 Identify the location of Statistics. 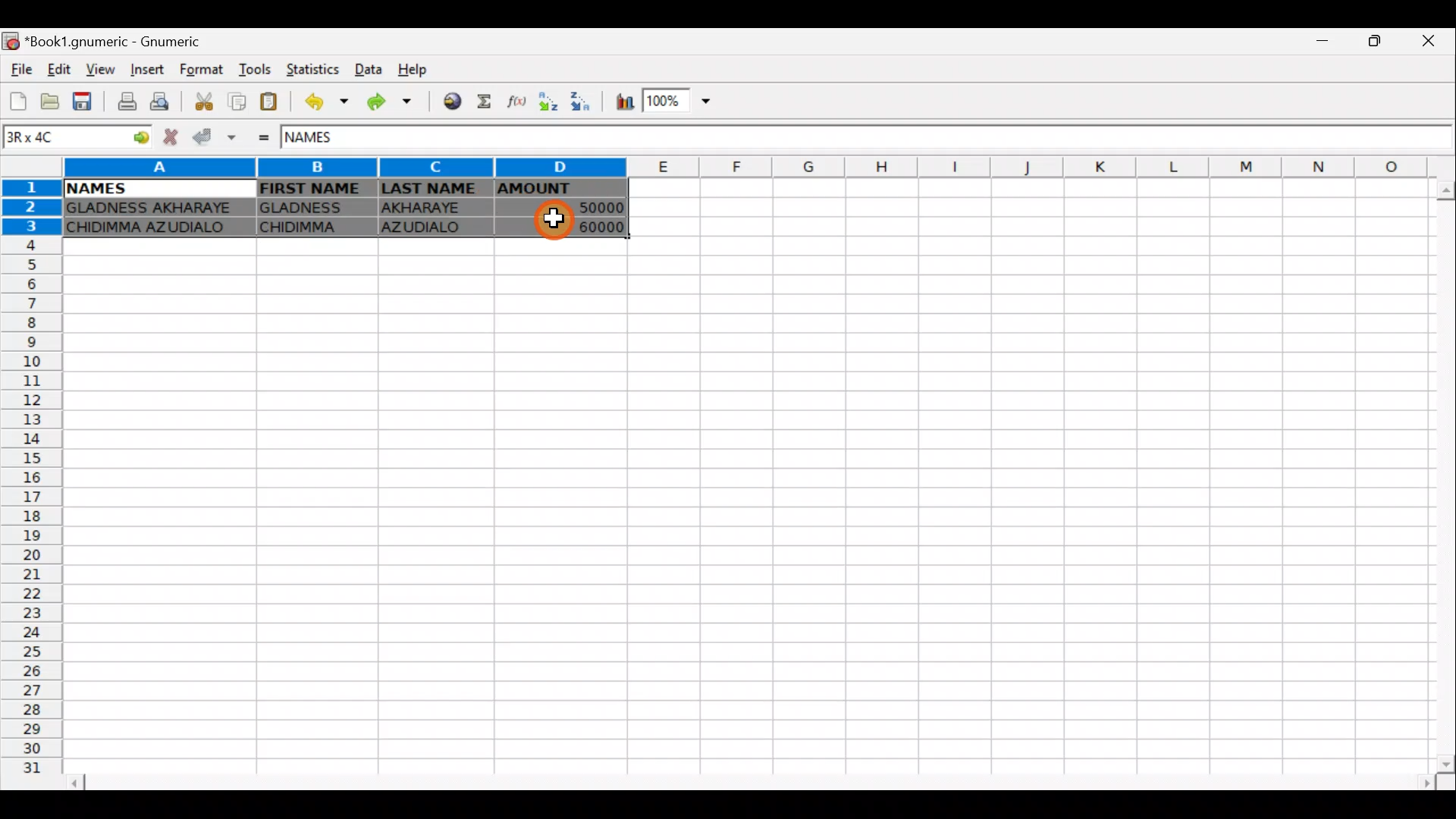
(314, 71).